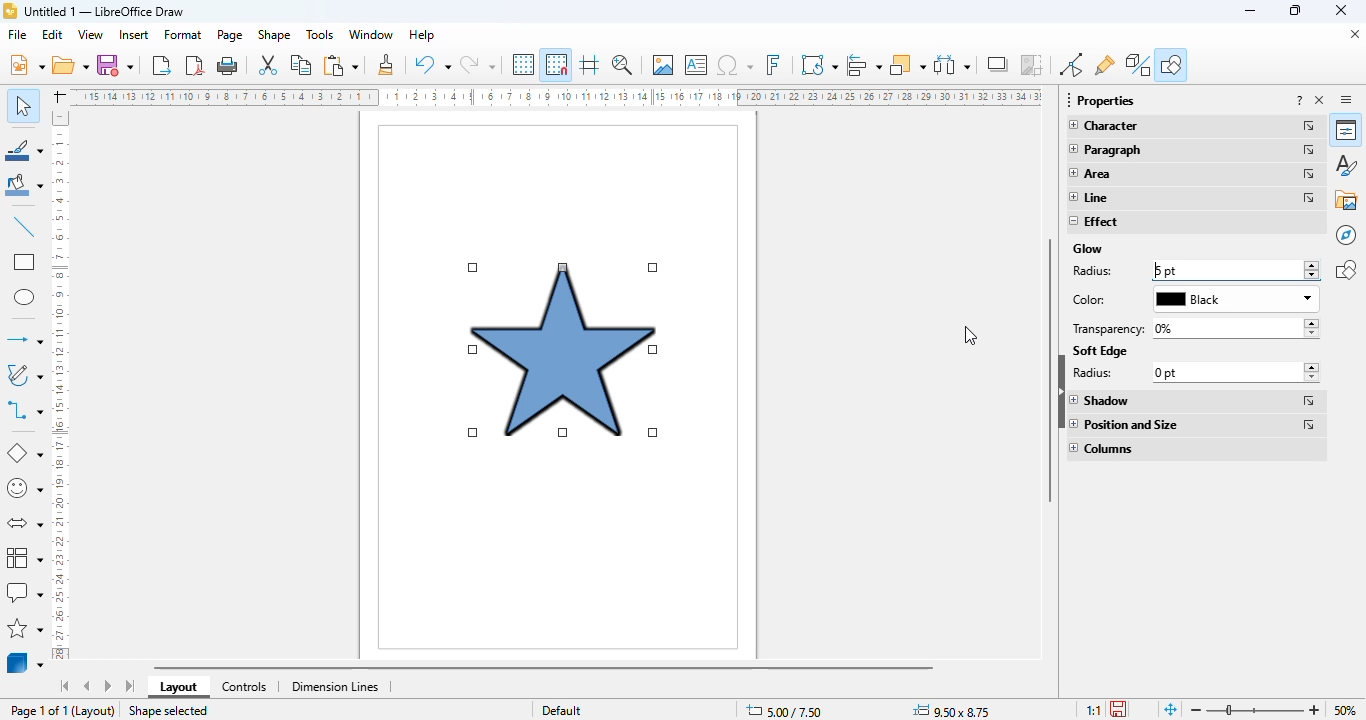 The height and width of the screenshot is (720, 1366). I want to click on soft edge, so click(1100, 351).